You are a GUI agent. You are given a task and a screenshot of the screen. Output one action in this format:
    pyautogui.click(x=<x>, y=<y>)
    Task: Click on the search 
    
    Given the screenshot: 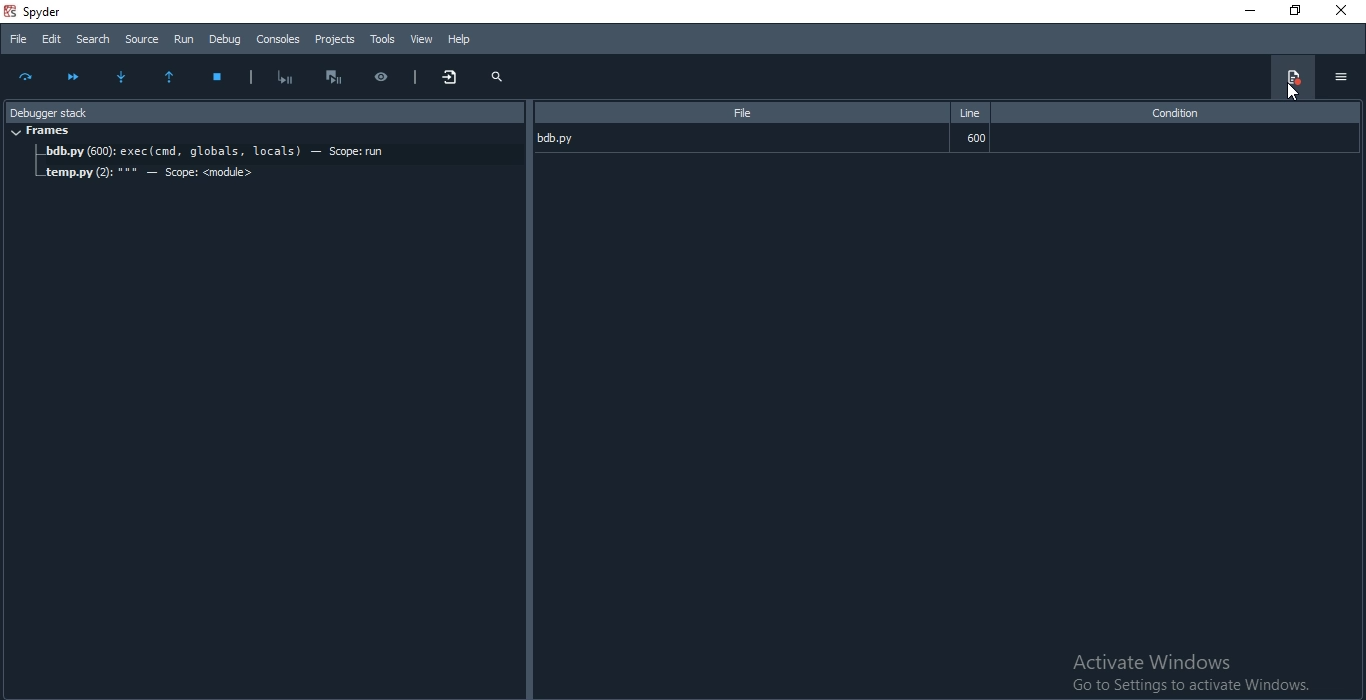 What is the action you would take?
    pyautogui.click(x=497, y=77)
    